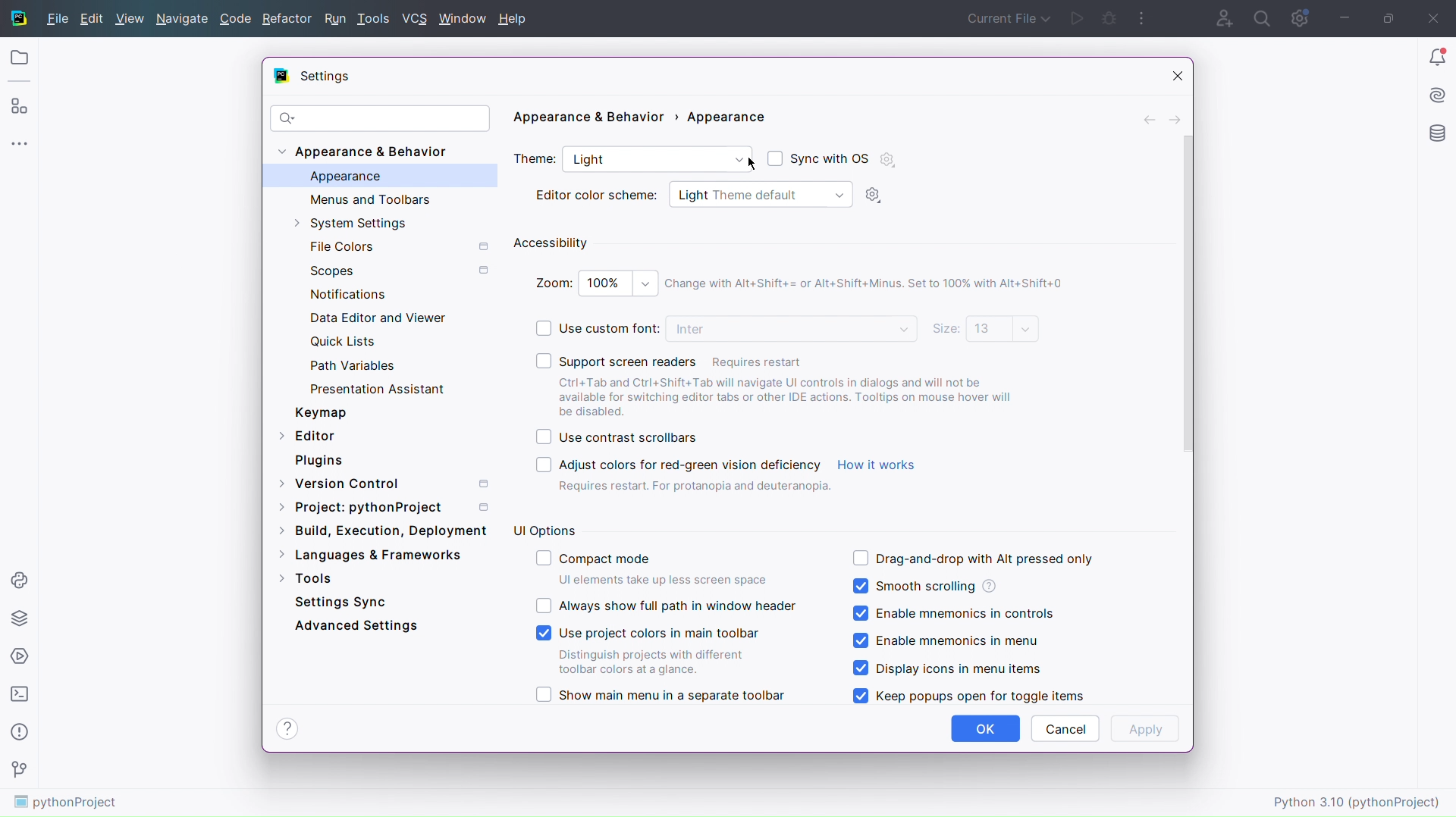 The image size is (1456, 817). What do you see at coordinates (334, 19) in the screenshot?
I see `Run` at bounding box center [334, 19].